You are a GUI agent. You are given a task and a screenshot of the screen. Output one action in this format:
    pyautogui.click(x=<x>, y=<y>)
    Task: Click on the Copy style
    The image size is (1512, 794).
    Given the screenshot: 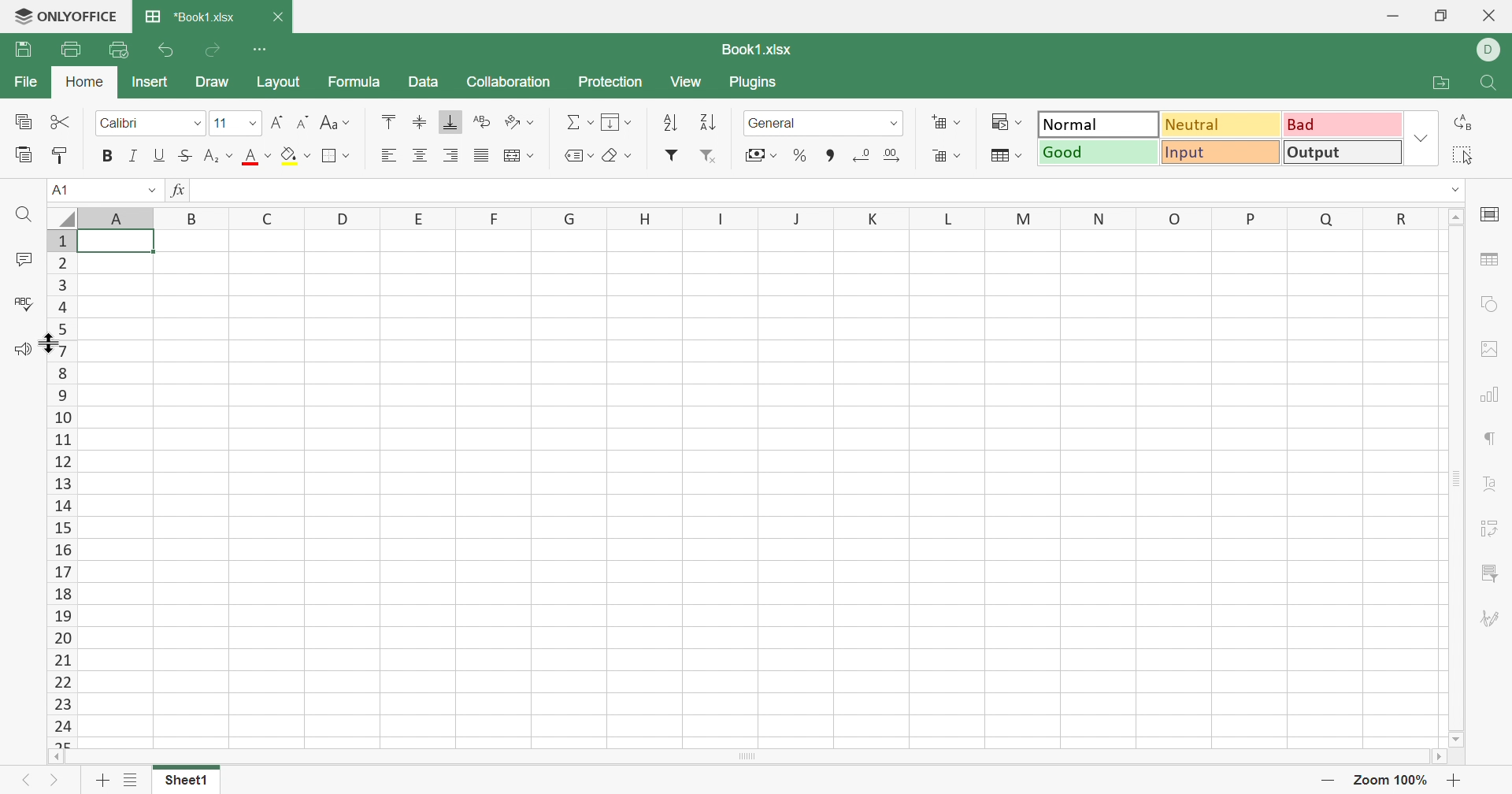 What is the action you would take?
    pyautogui.click(x=61, y=155)
    